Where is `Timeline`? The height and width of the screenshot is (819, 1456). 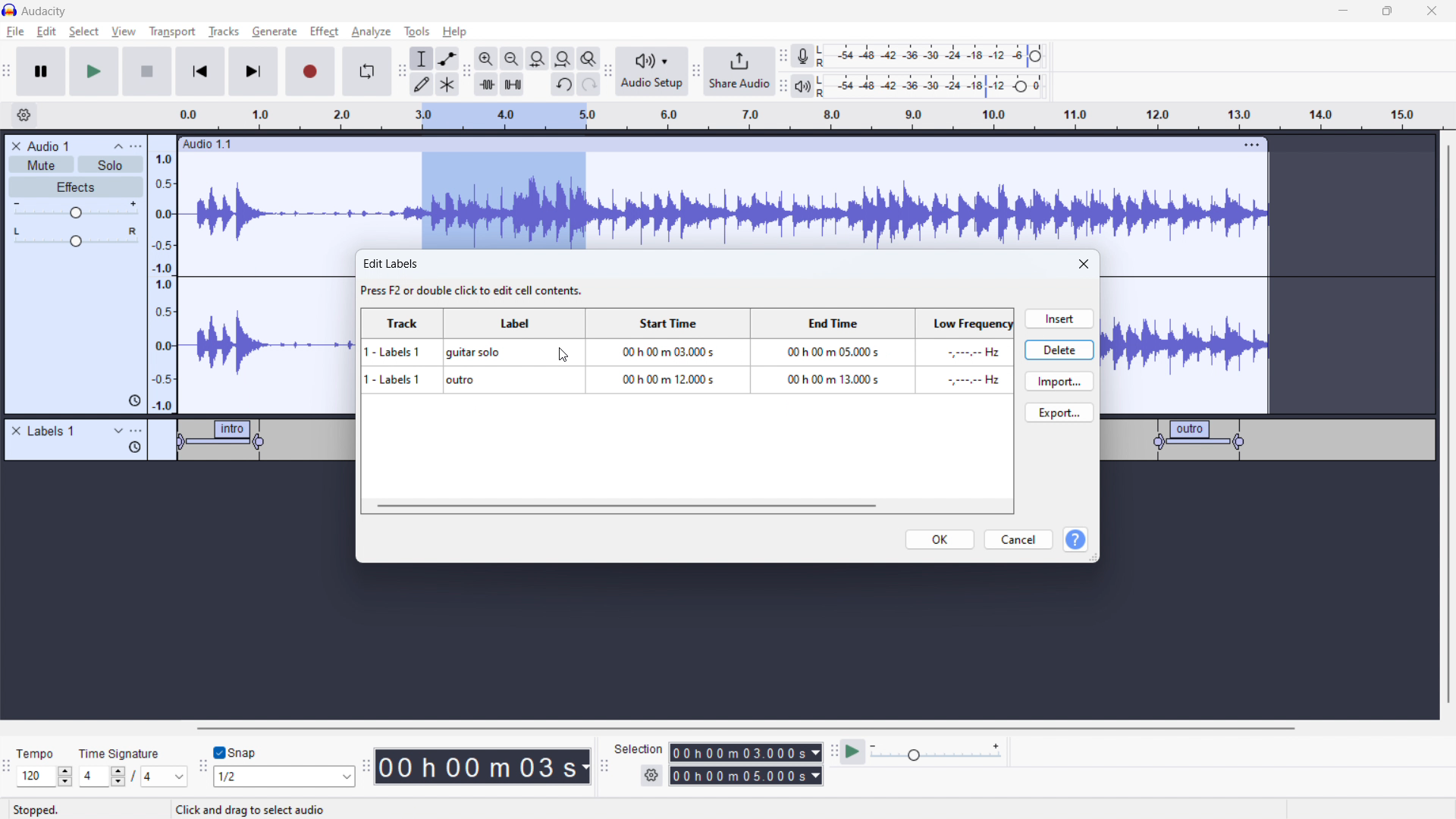
Timeline is located at coordinates (1267, 512).